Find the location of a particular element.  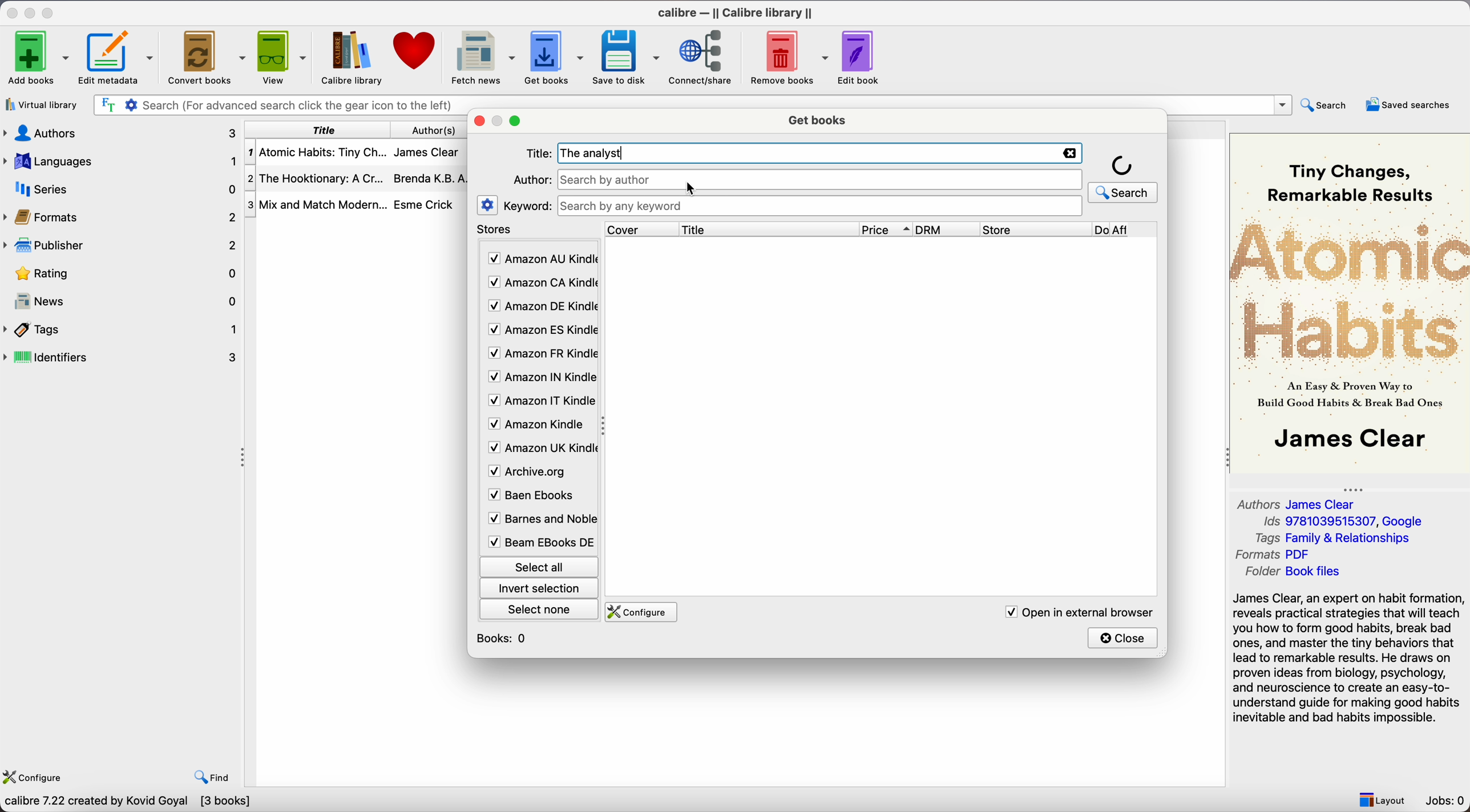

Jobs: 0 is located at coordinates (1447, 802).